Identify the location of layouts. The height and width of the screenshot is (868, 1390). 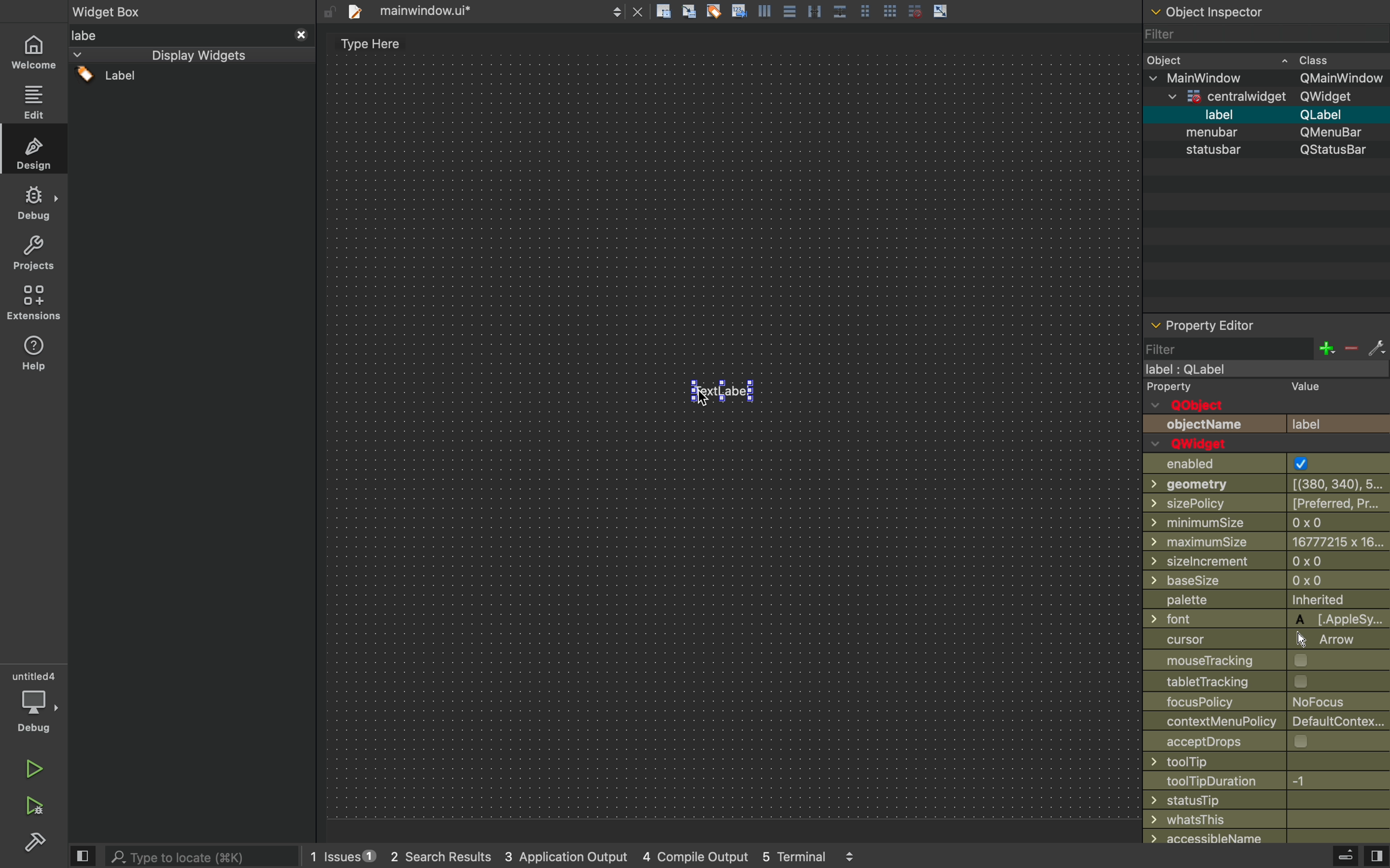
(191, 56).